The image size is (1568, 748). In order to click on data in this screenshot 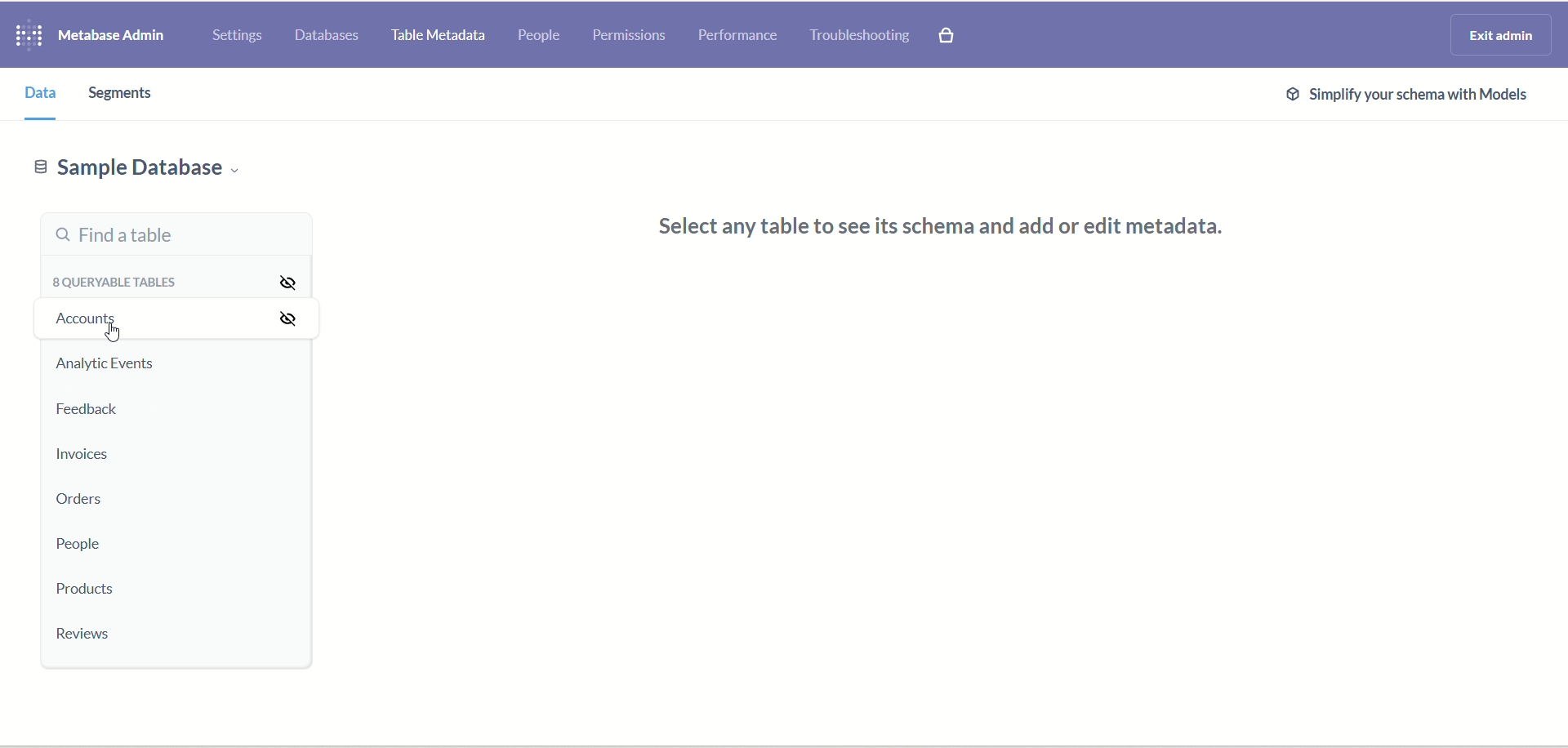, I will do `click(42, 98)`.